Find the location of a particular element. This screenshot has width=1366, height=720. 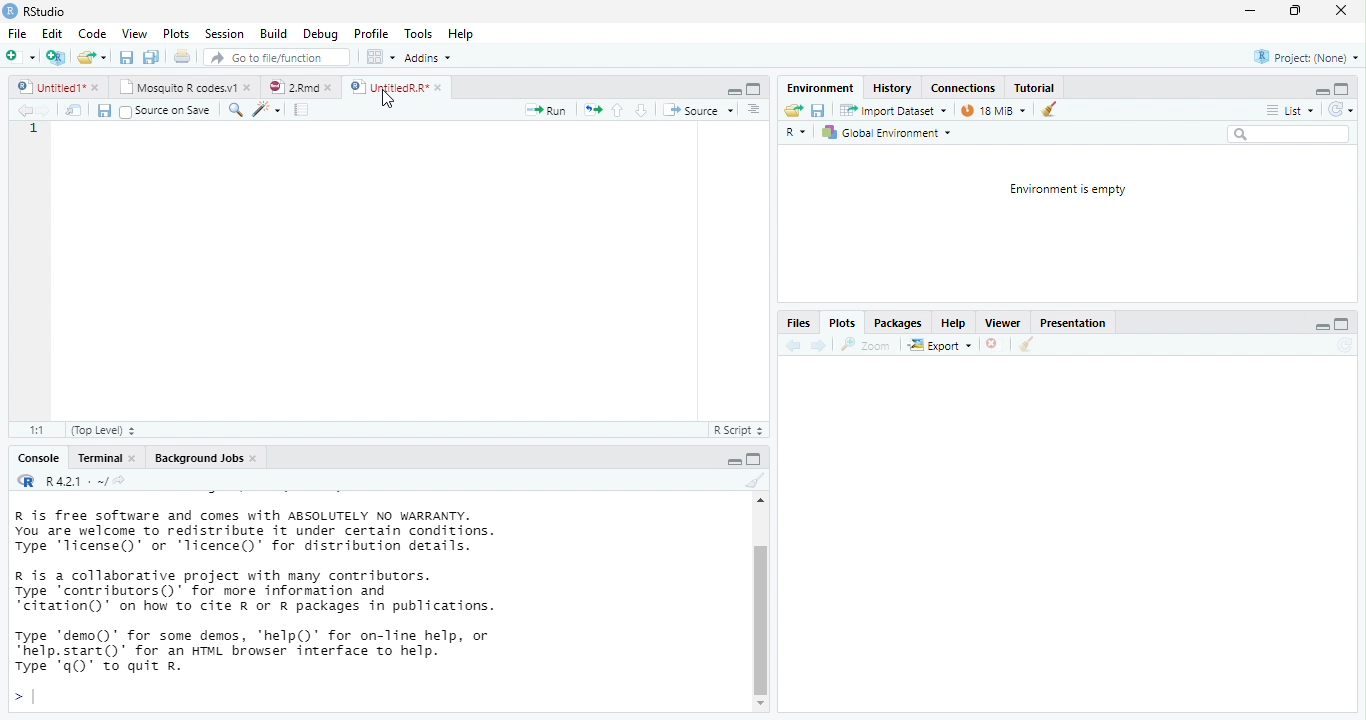

Refresh is located at coordinates (1345, 345).